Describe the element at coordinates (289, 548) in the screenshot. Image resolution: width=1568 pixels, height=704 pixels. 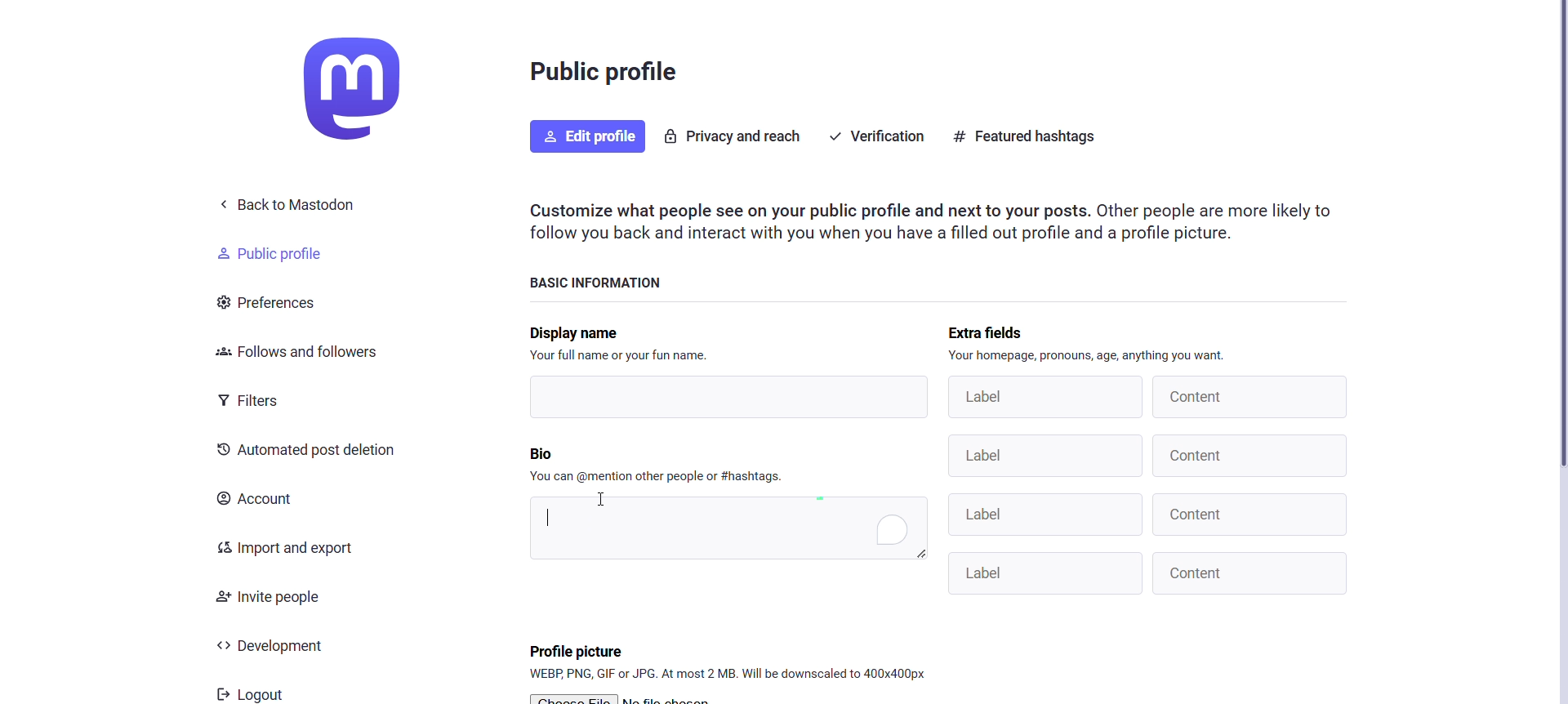
I see `Import and Export` at that location.